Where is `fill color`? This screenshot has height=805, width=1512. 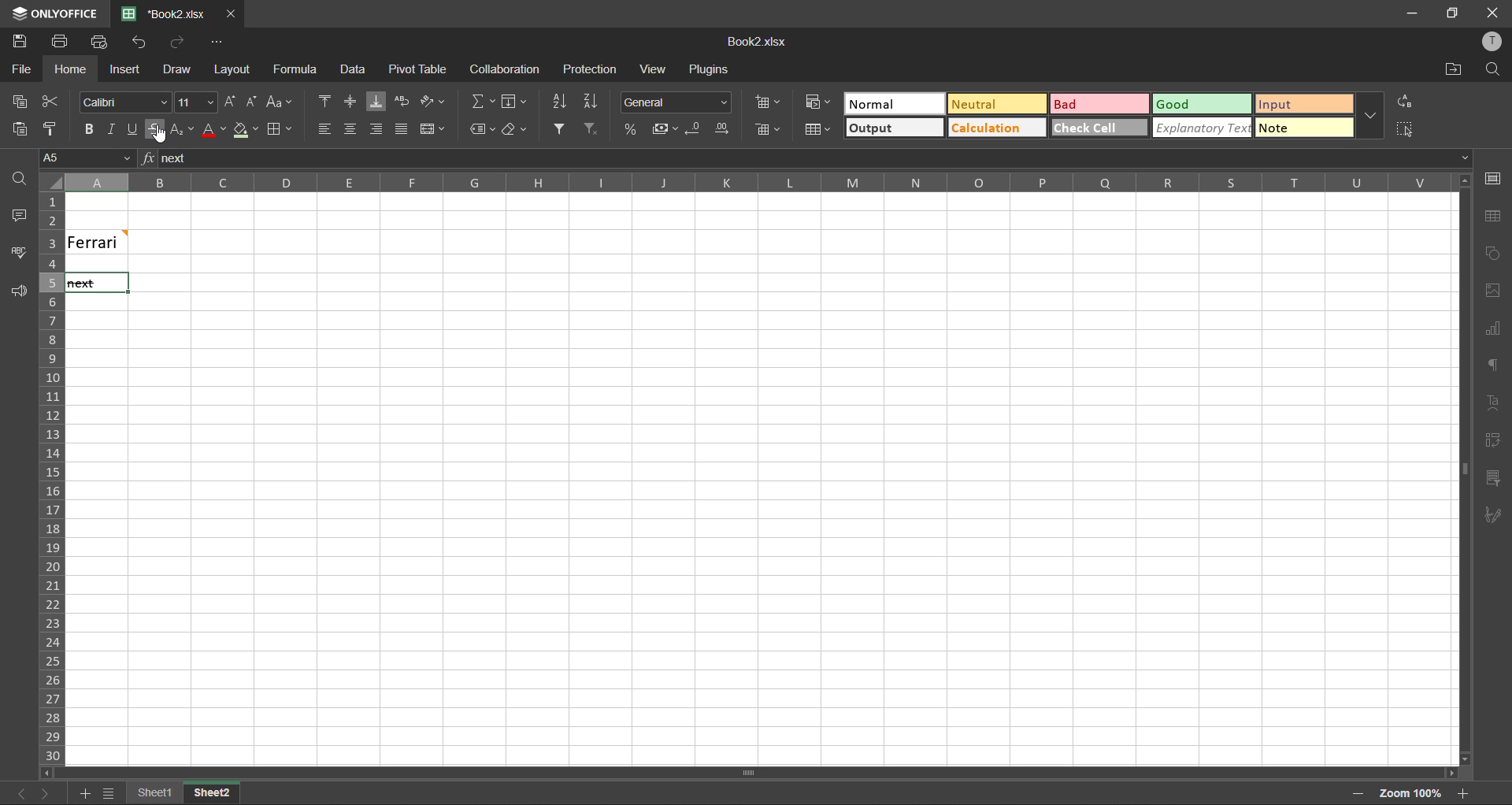 fill color is located at coordinates (245, 128).